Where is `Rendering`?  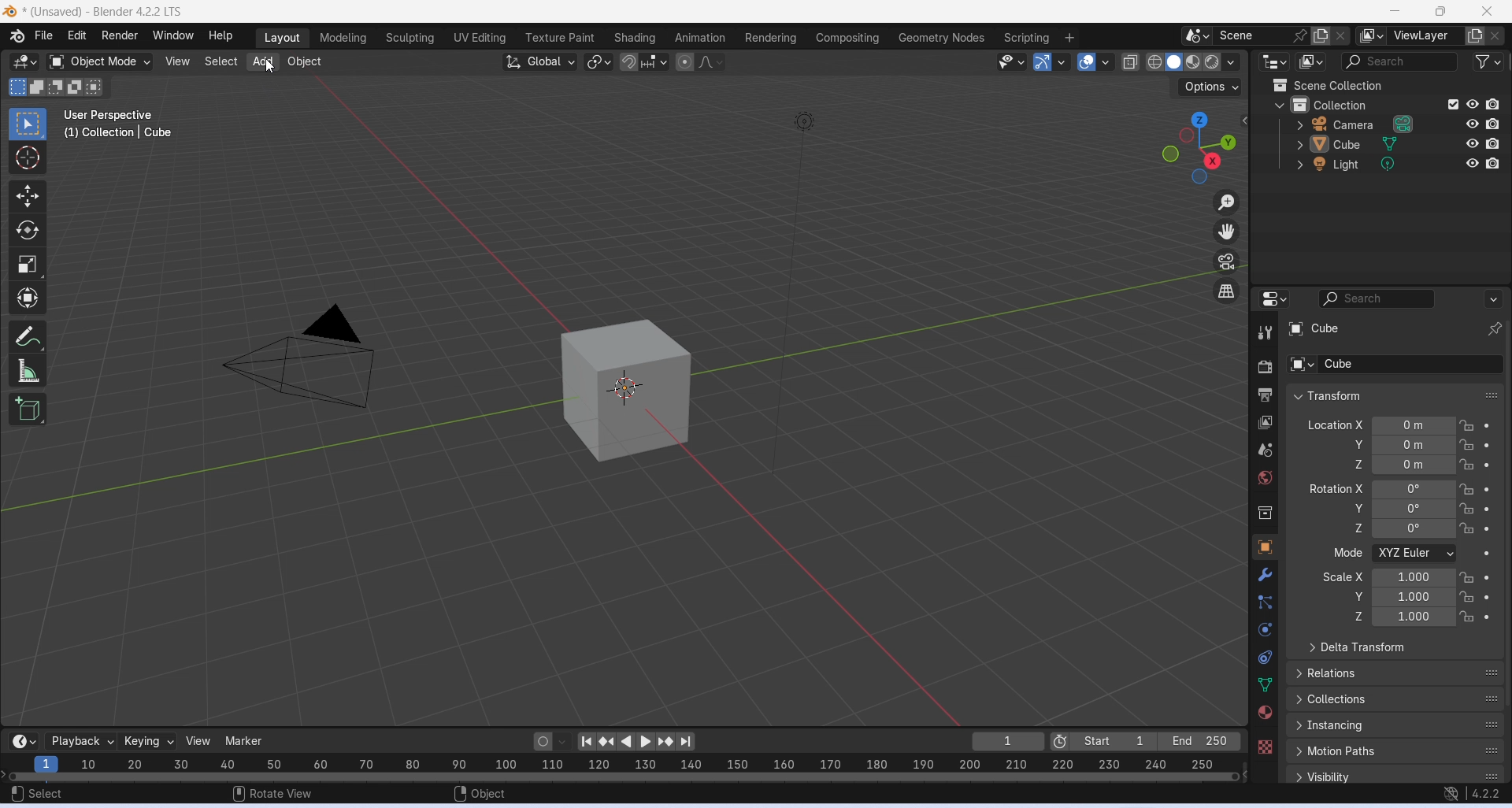 Rendering is located at coordinates (771, 38).